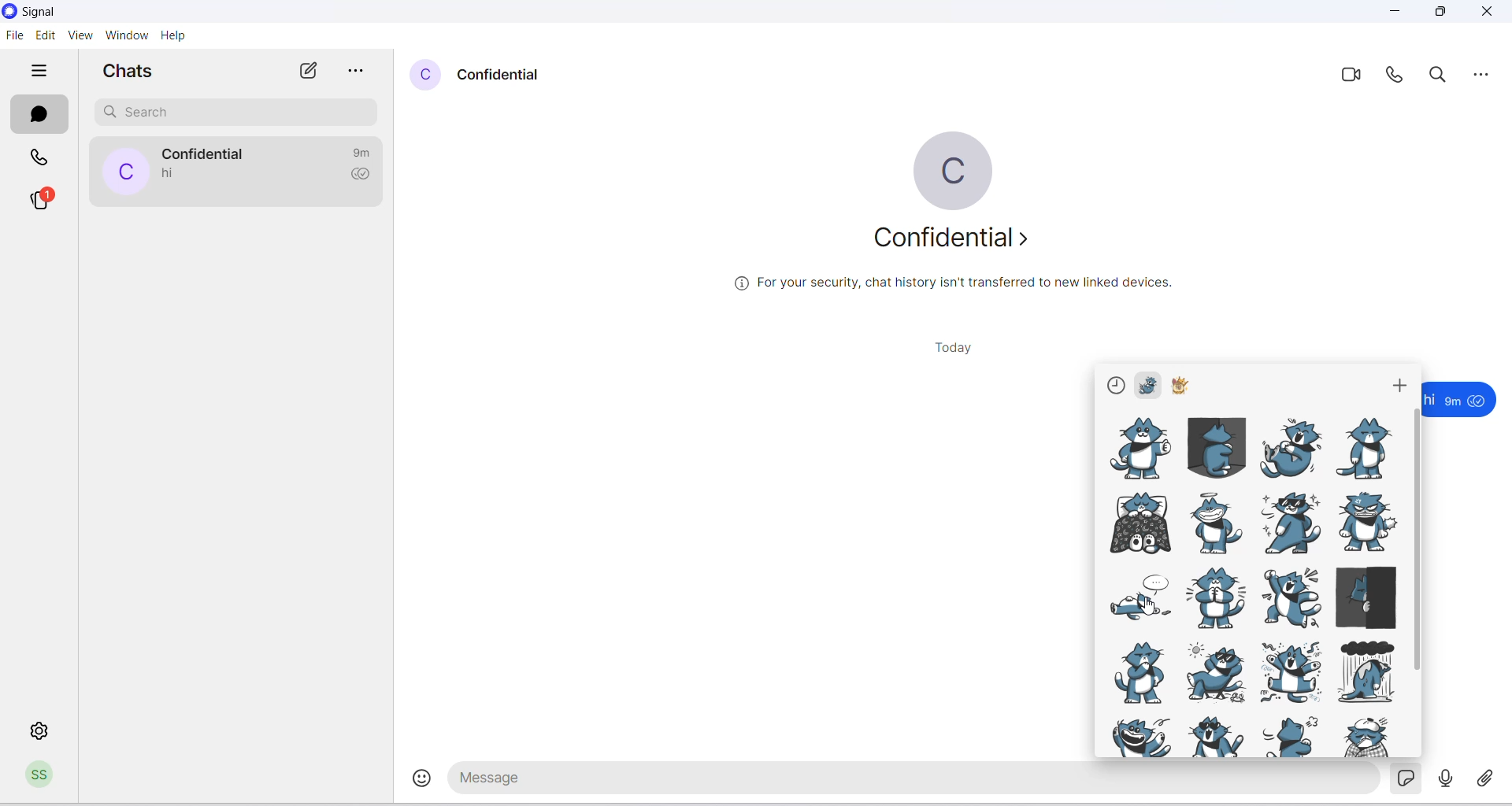 The width and height of the screenshot is (1512, 806). I want to click on share attachment, so click(1490, 776).